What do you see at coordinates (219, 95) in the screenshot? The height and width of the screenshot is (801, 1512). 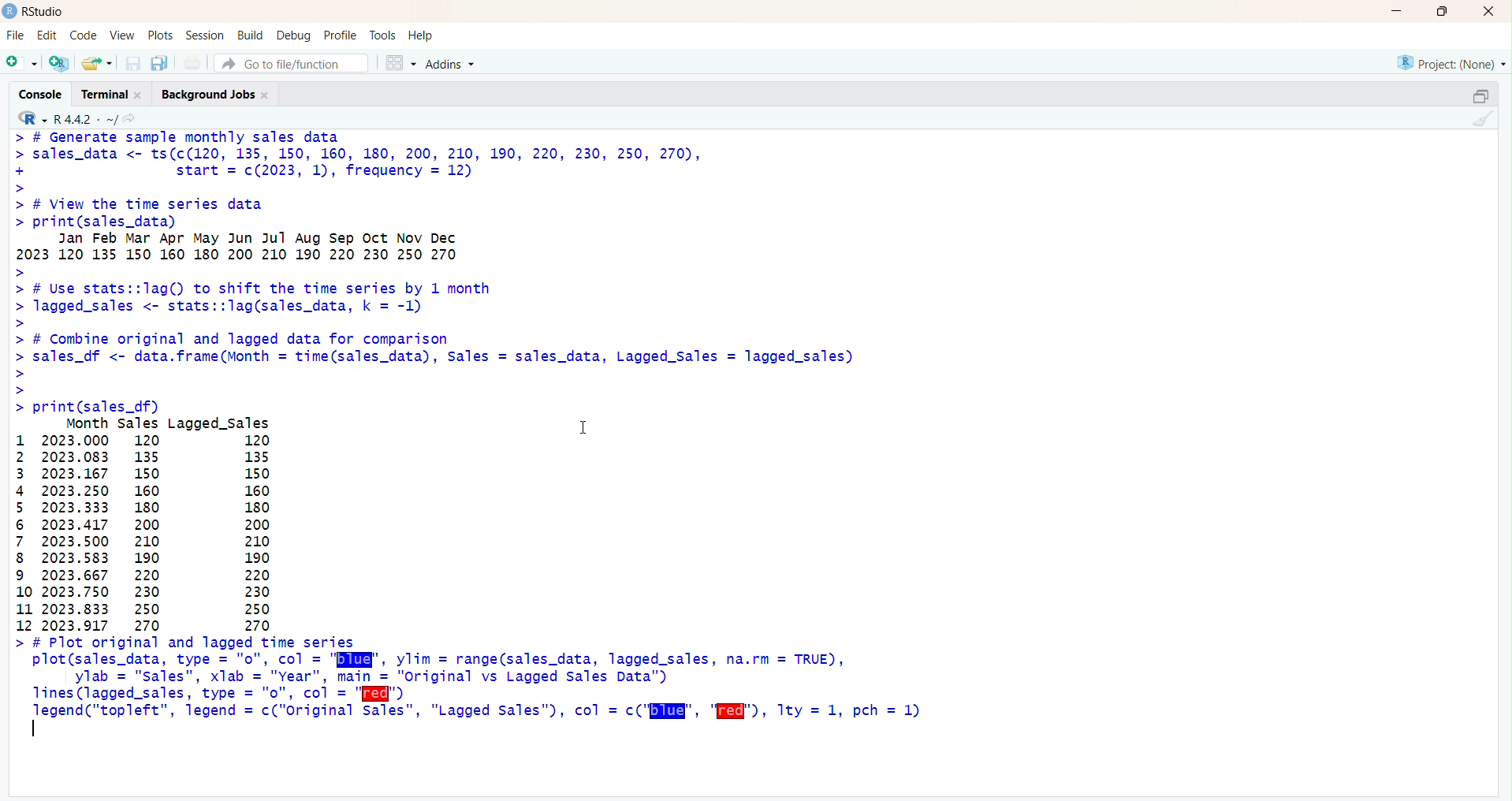 I see `background jobs` at bounding box center [219, 95].